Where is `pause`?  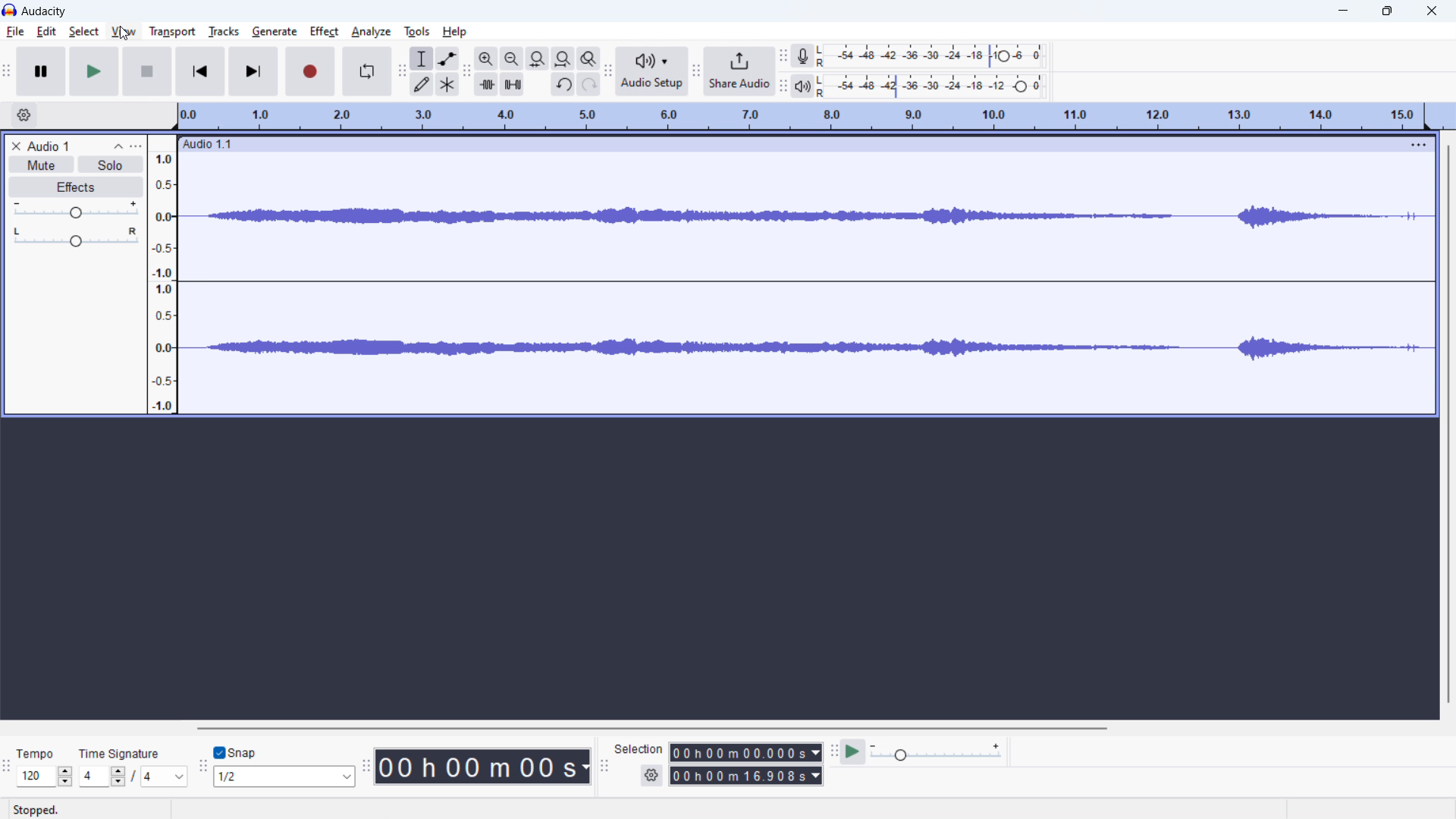 pause is located at coordinates (41, 71).